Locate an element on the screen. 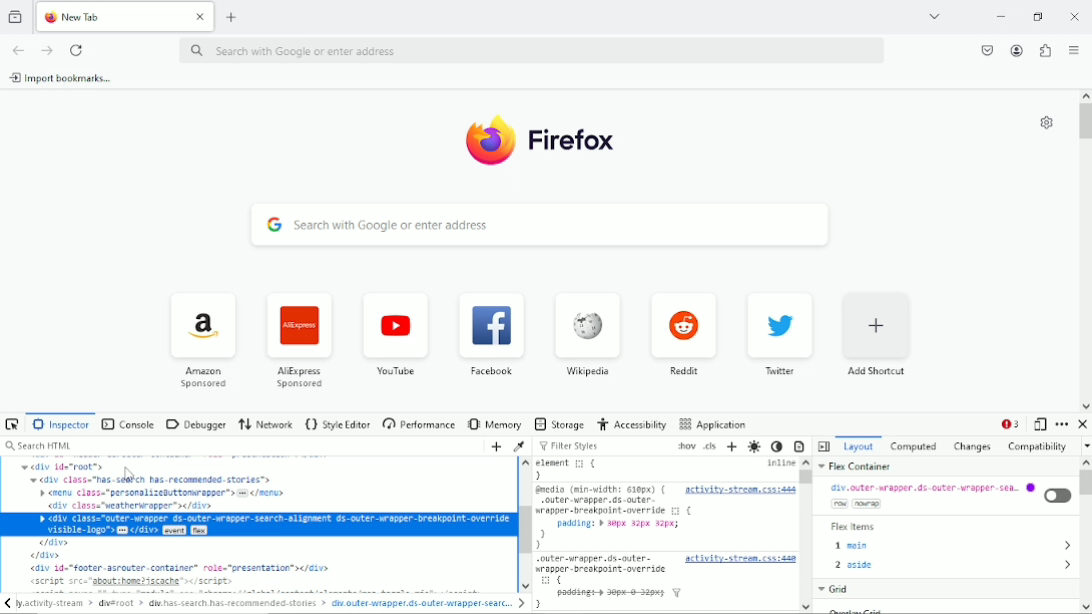 The height and width of the screenshot is (614, 1092). Responsive design mode is located at coordinates (1040, 424).